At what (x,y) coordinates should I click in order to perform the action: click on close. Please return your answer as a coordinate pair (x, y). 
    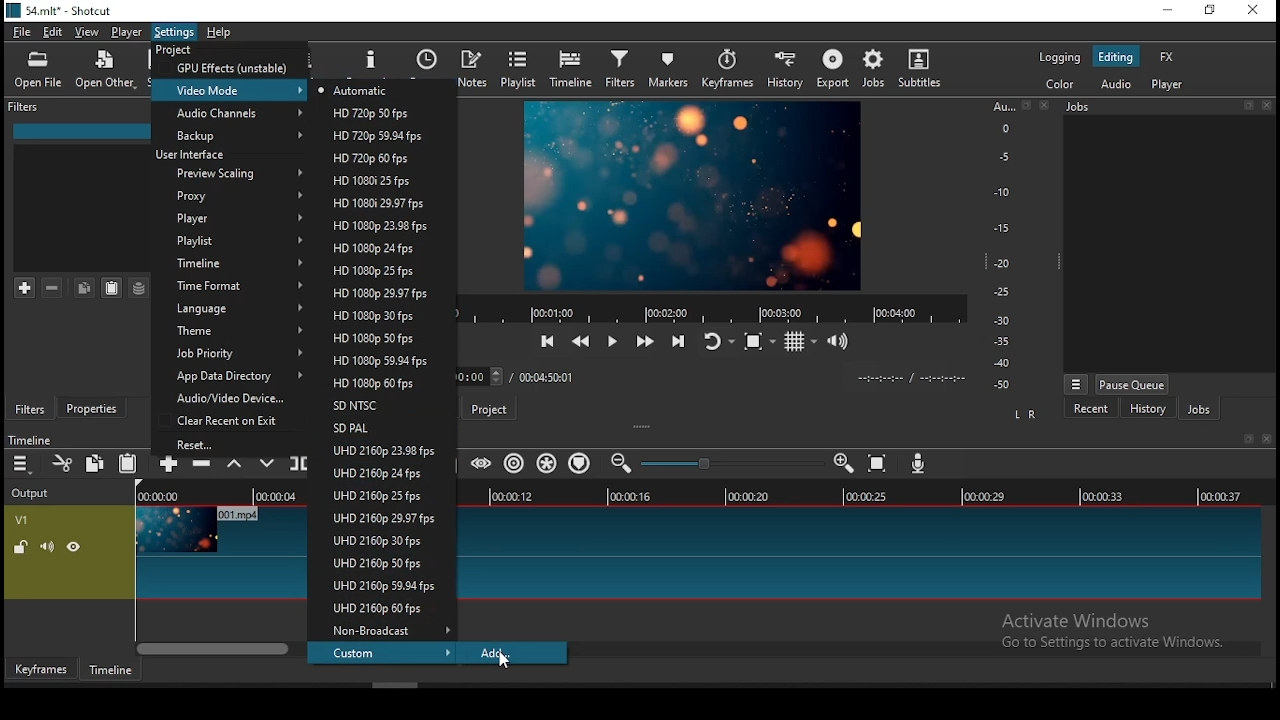
    Looking at the image, I should click on (1270, 439).